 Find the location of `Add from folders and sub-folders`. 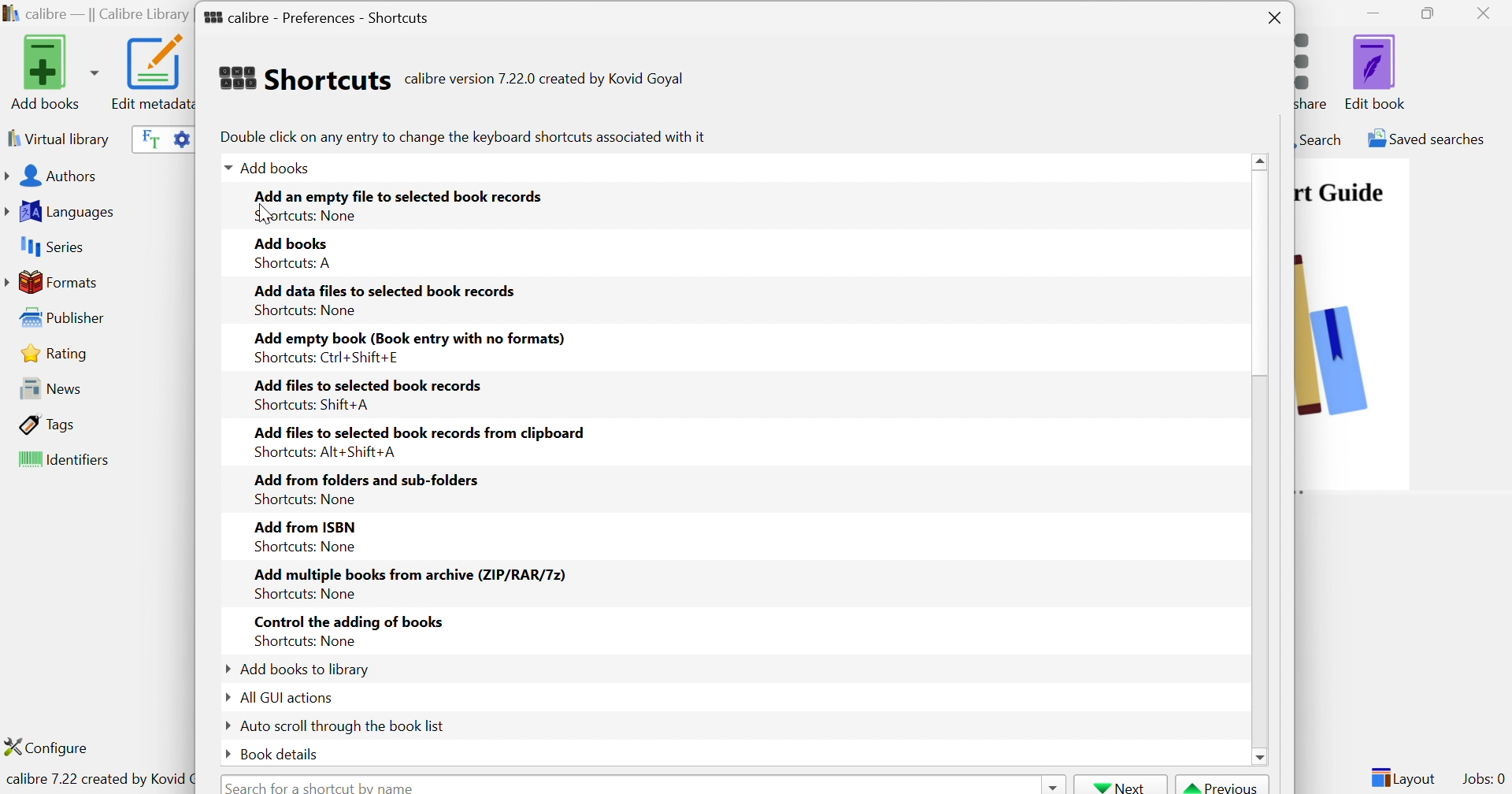

Add from folders and sub-folders is located at coordinates (367, 480).